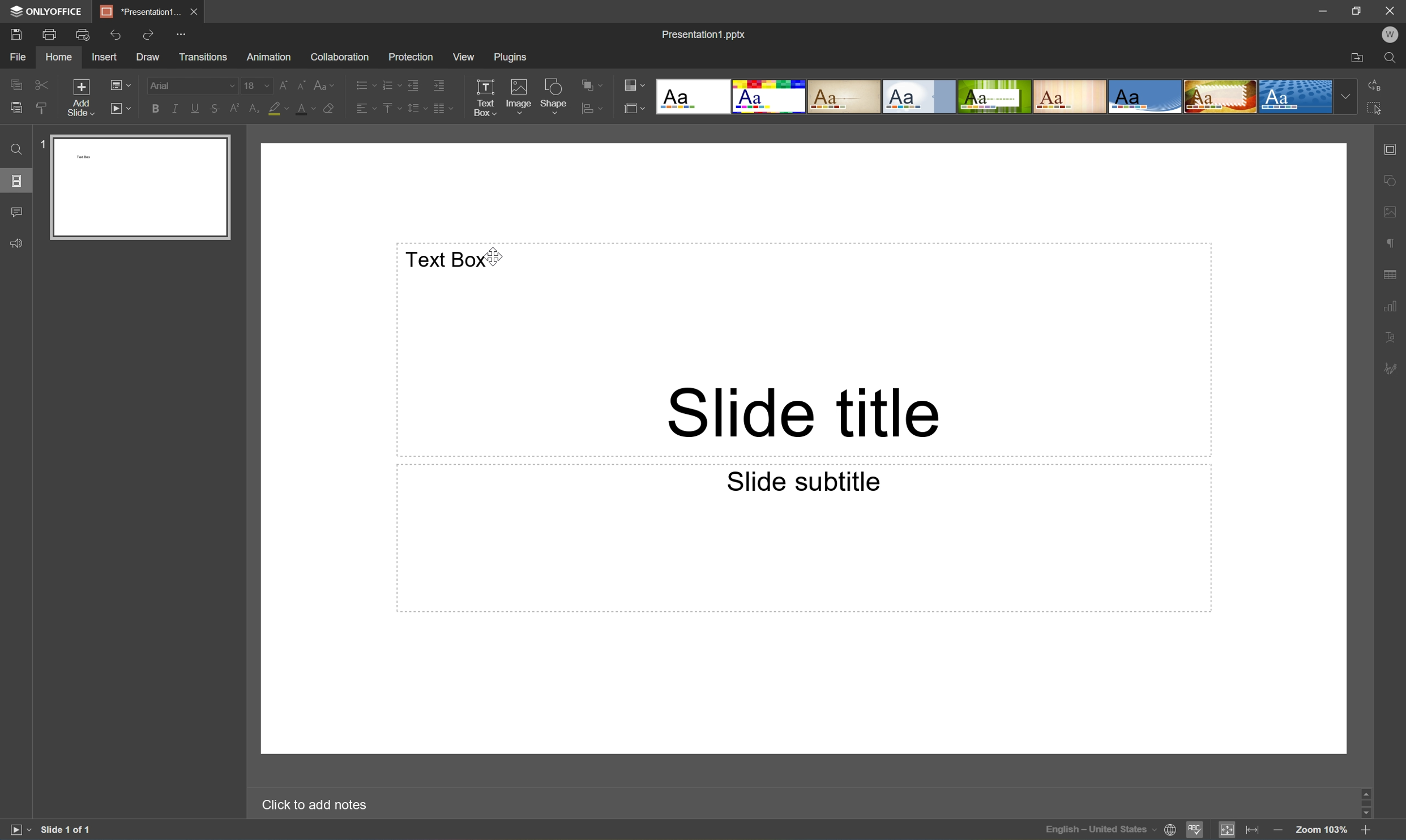 The image size is (1406, 840). Describe the element at coordinates (194, 11) in the screenshot. I see `Close` at that location.